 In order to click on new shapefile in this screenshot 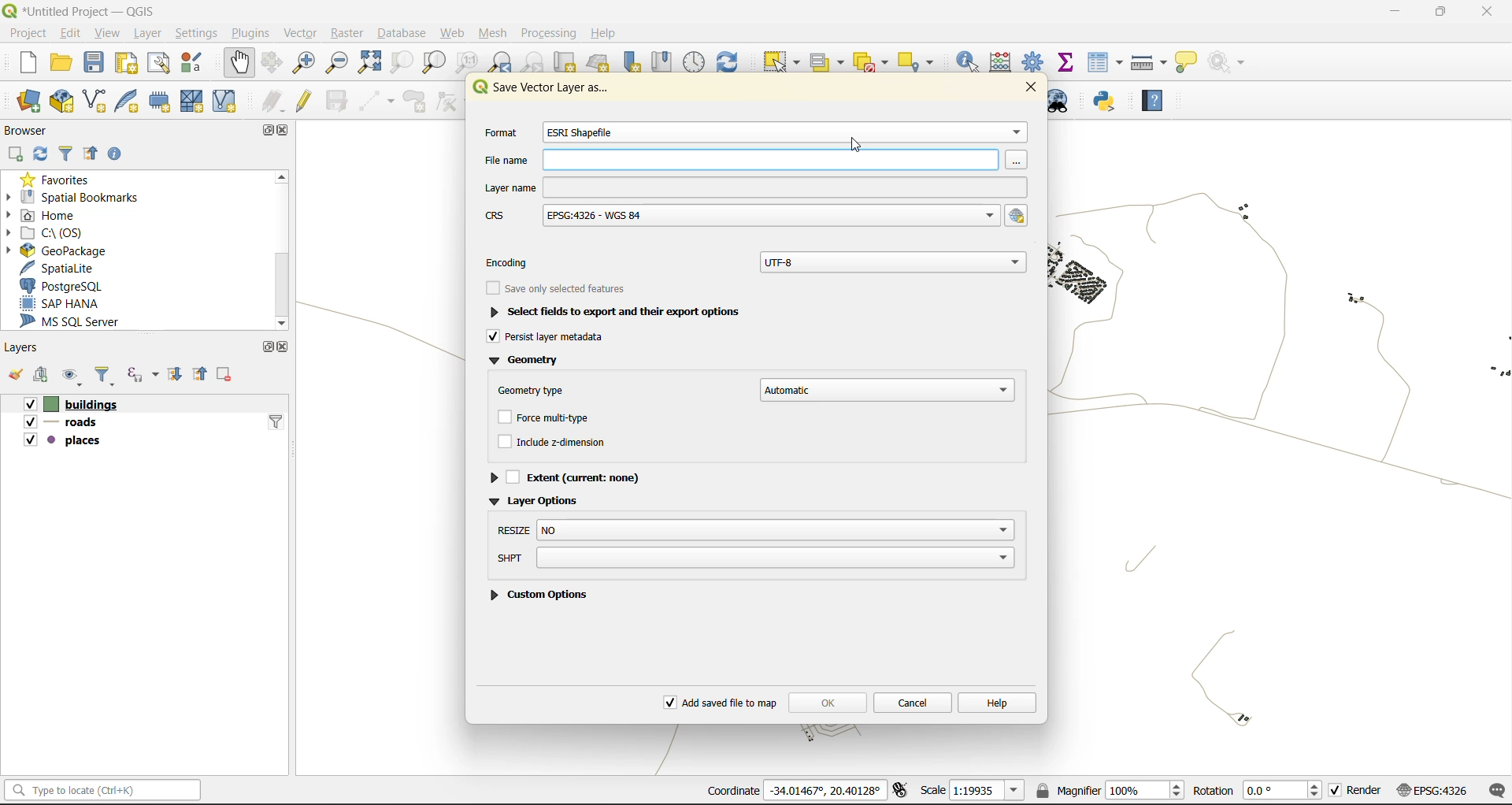, I will do `click(94, 100)`.